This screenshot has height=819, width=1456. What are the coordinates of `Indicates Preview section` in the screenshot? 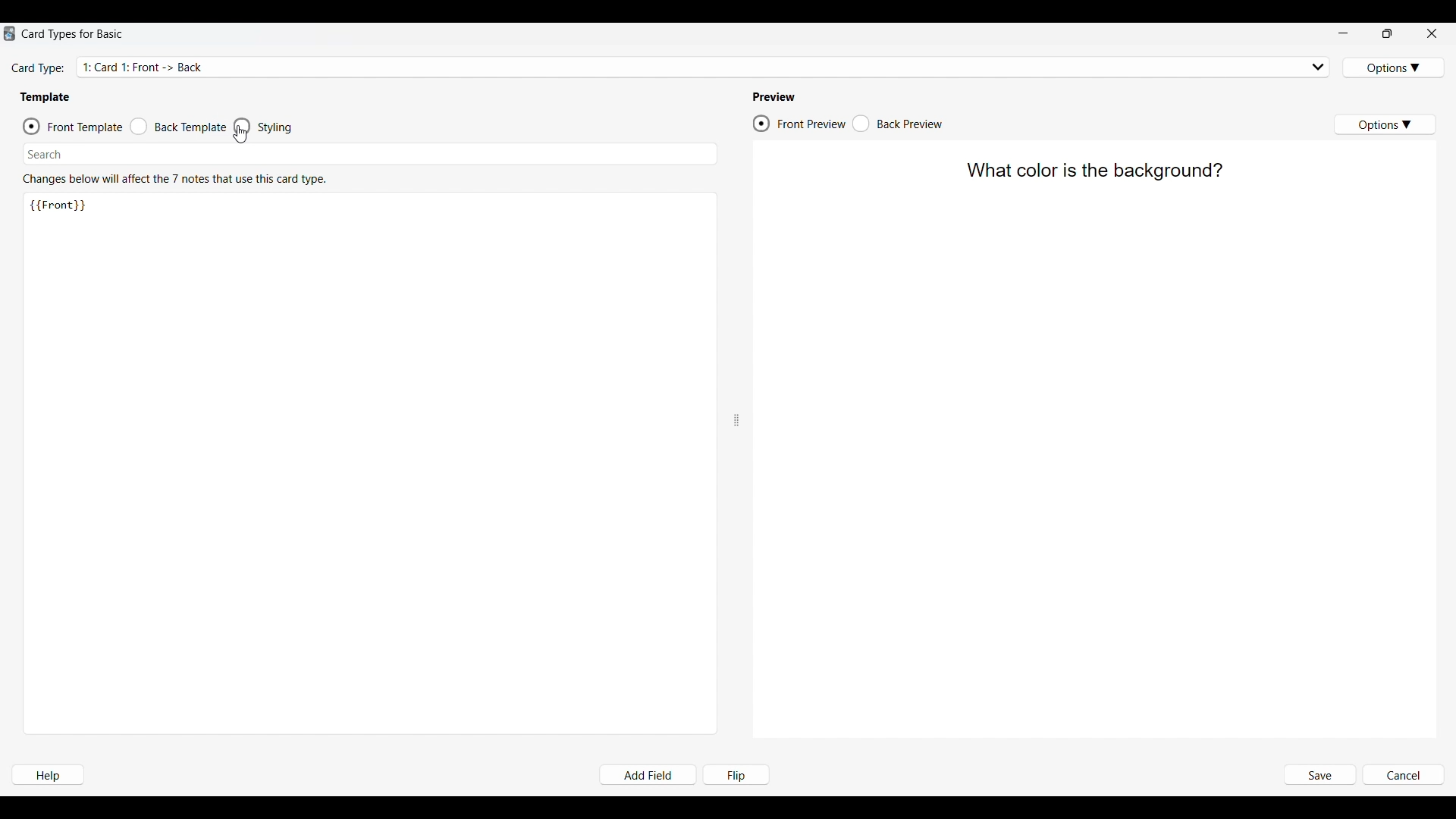 It's located at (777, 97).